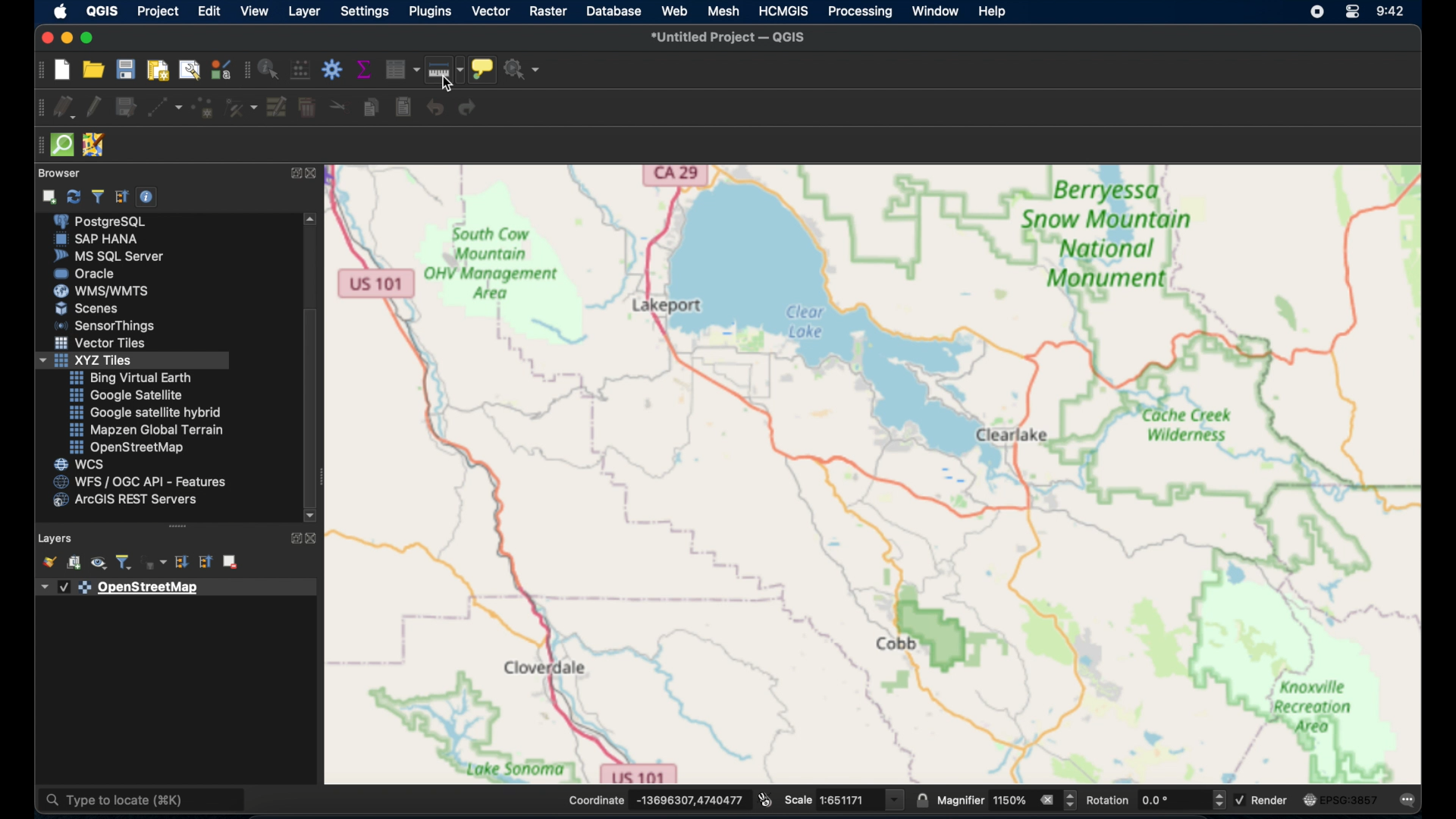 The width and height of the screenshot is (1456, 819). What do you see at coordinates (92, 105) in the screenshot?
I see `toggle editing` at bounding box center [92, 105].